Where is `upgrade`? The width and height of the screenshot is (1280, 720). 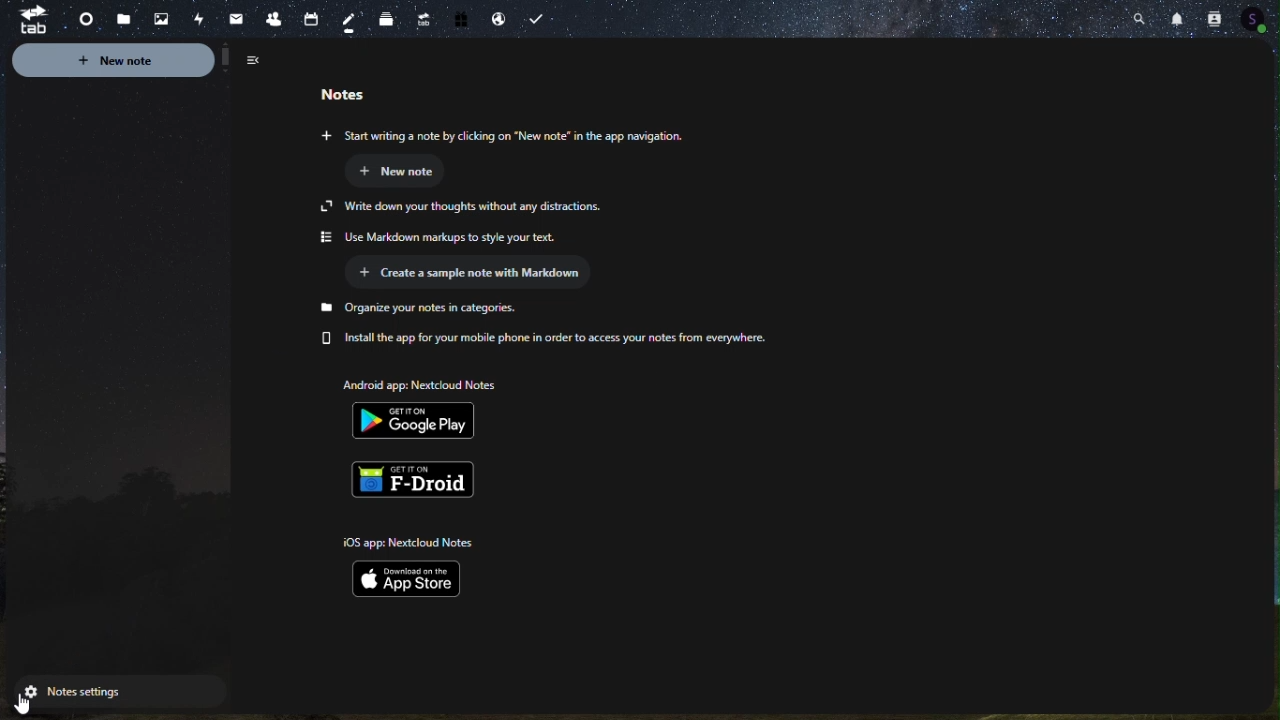 upgrade is located at coordinates (420, 16).